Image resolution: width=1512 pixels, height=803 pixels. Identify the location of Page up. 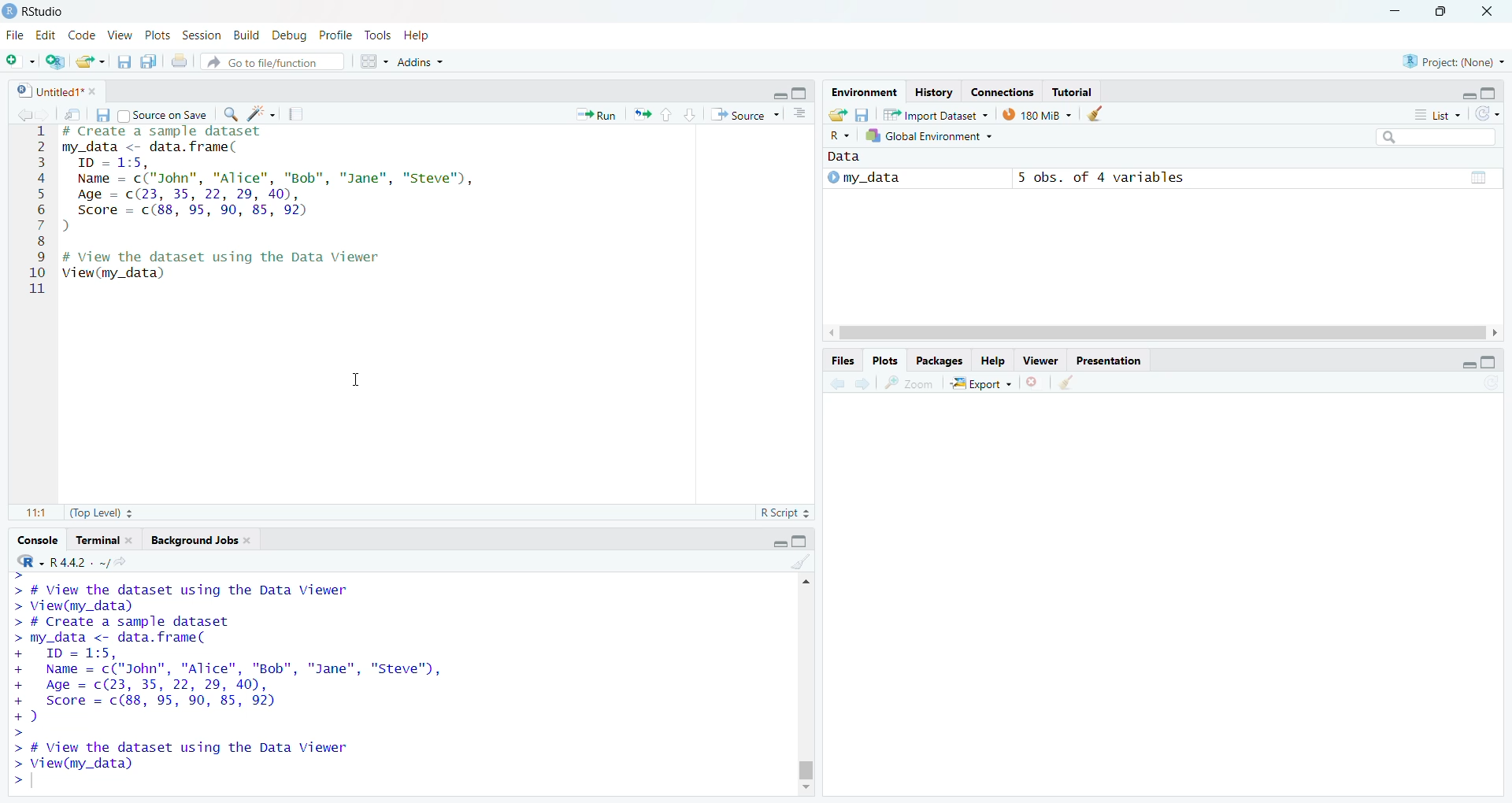
(667, 115).